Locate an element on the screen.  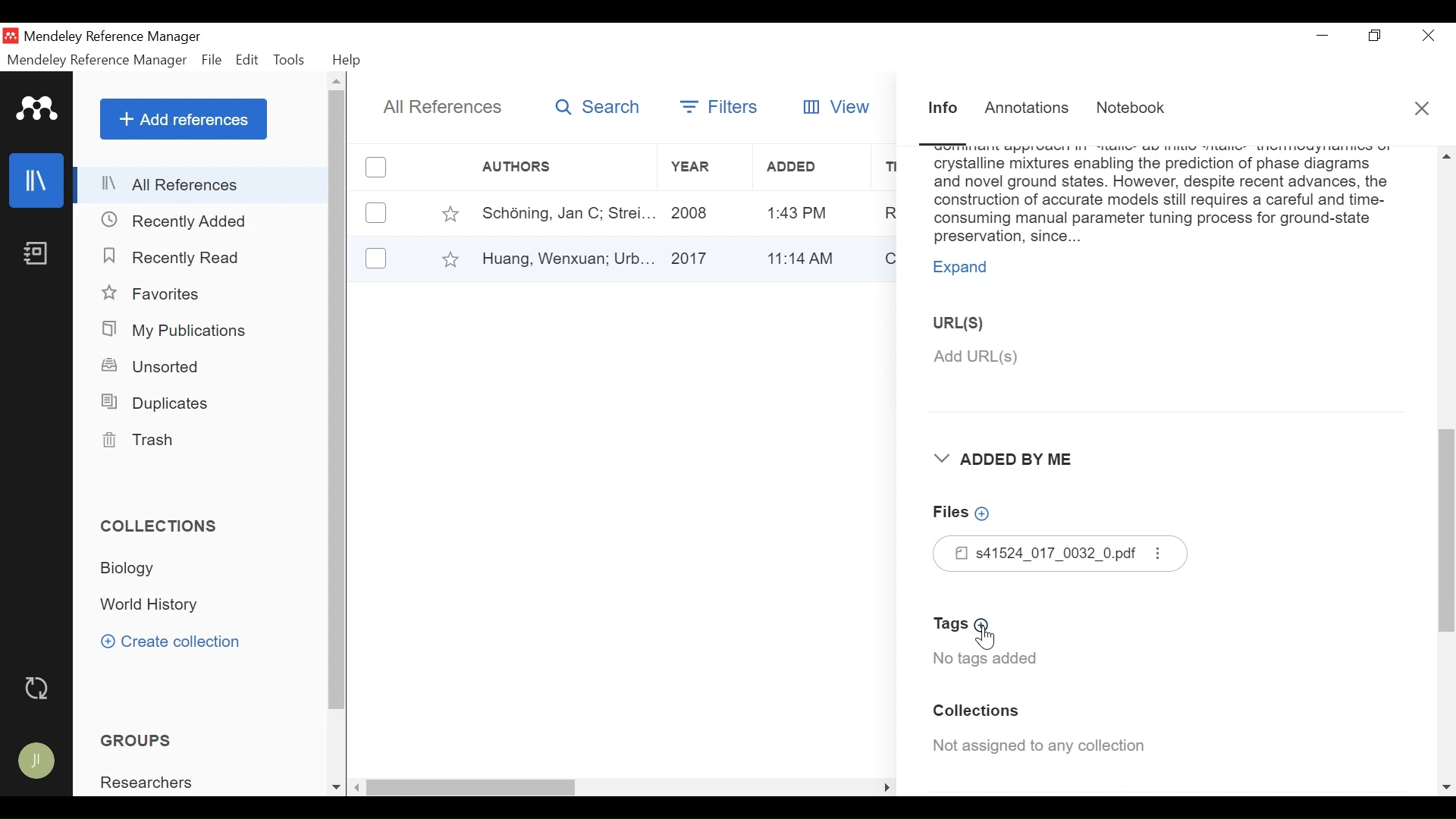
Groups is located at coordinates (140, 741).